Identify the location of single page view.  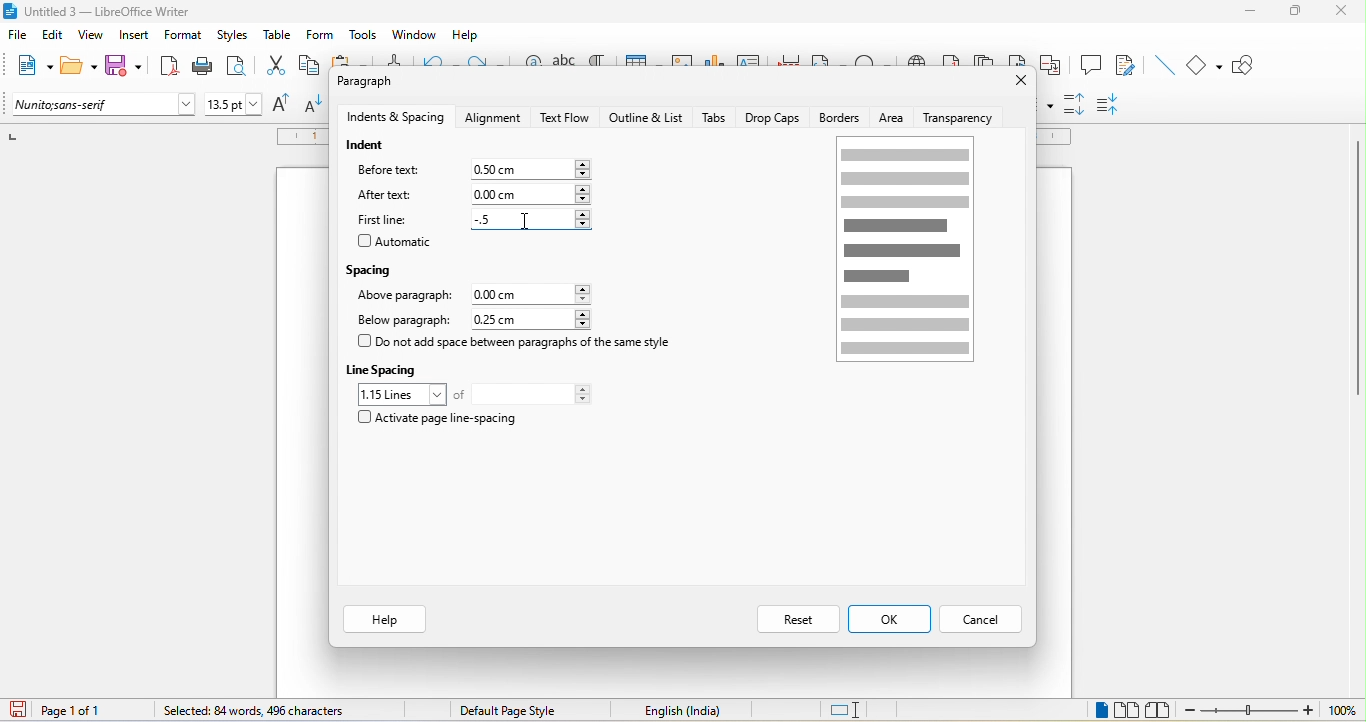
(1092, 711).